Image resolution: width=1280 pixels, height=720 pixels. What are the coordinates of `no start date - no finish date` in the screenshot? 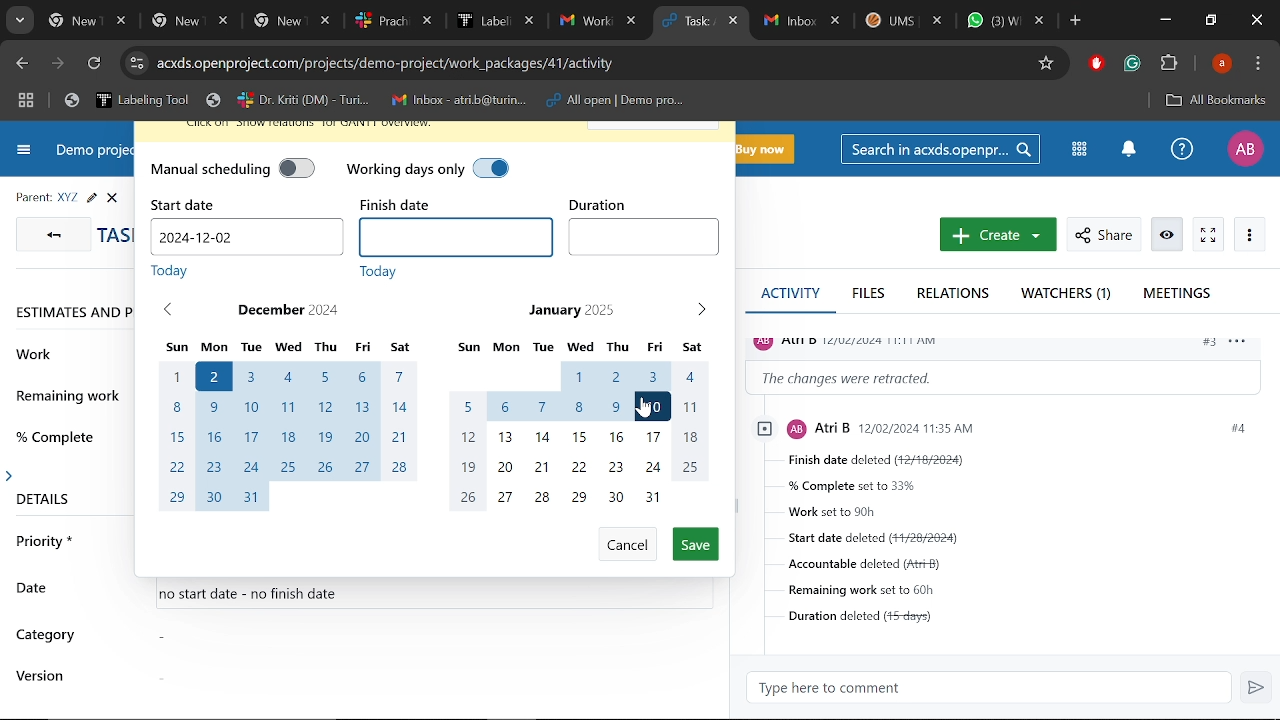 It's located at (266, 593).